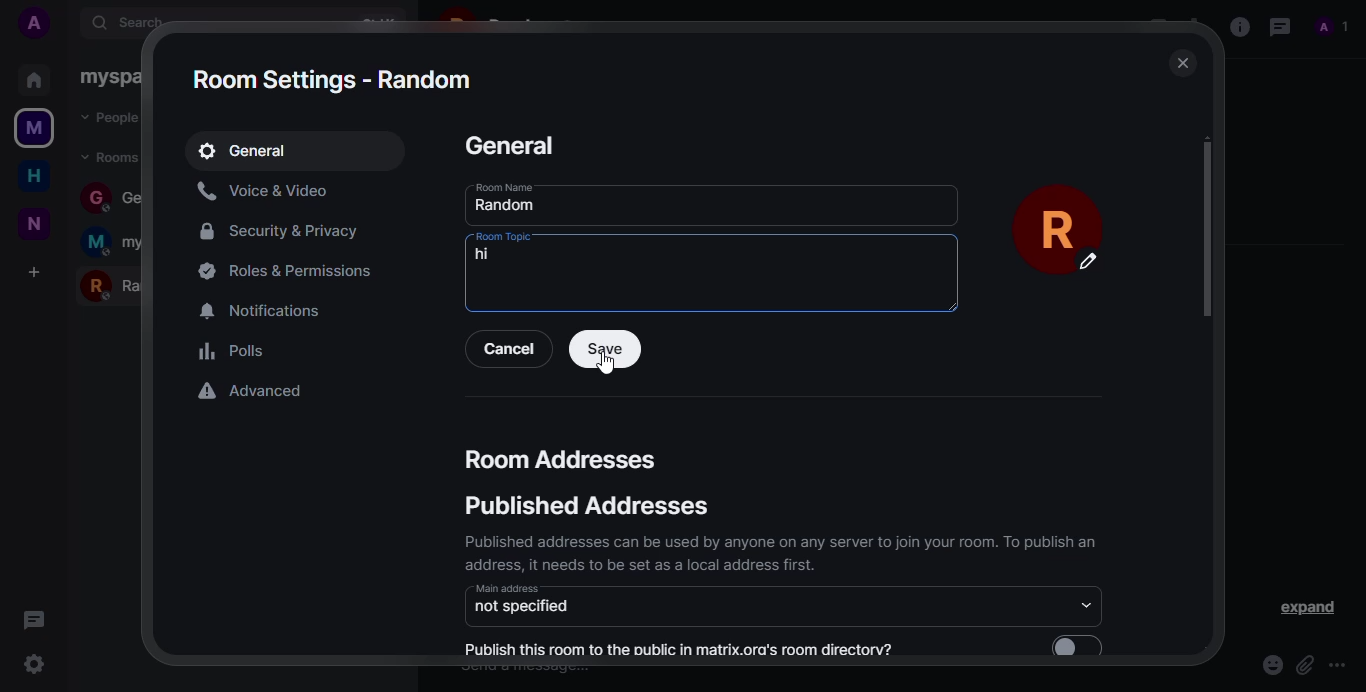 The width and height of the screenshot is (1366, 692). Describe the element at coordinates (34, 663) in the screenshot. I see `settings` at that location.